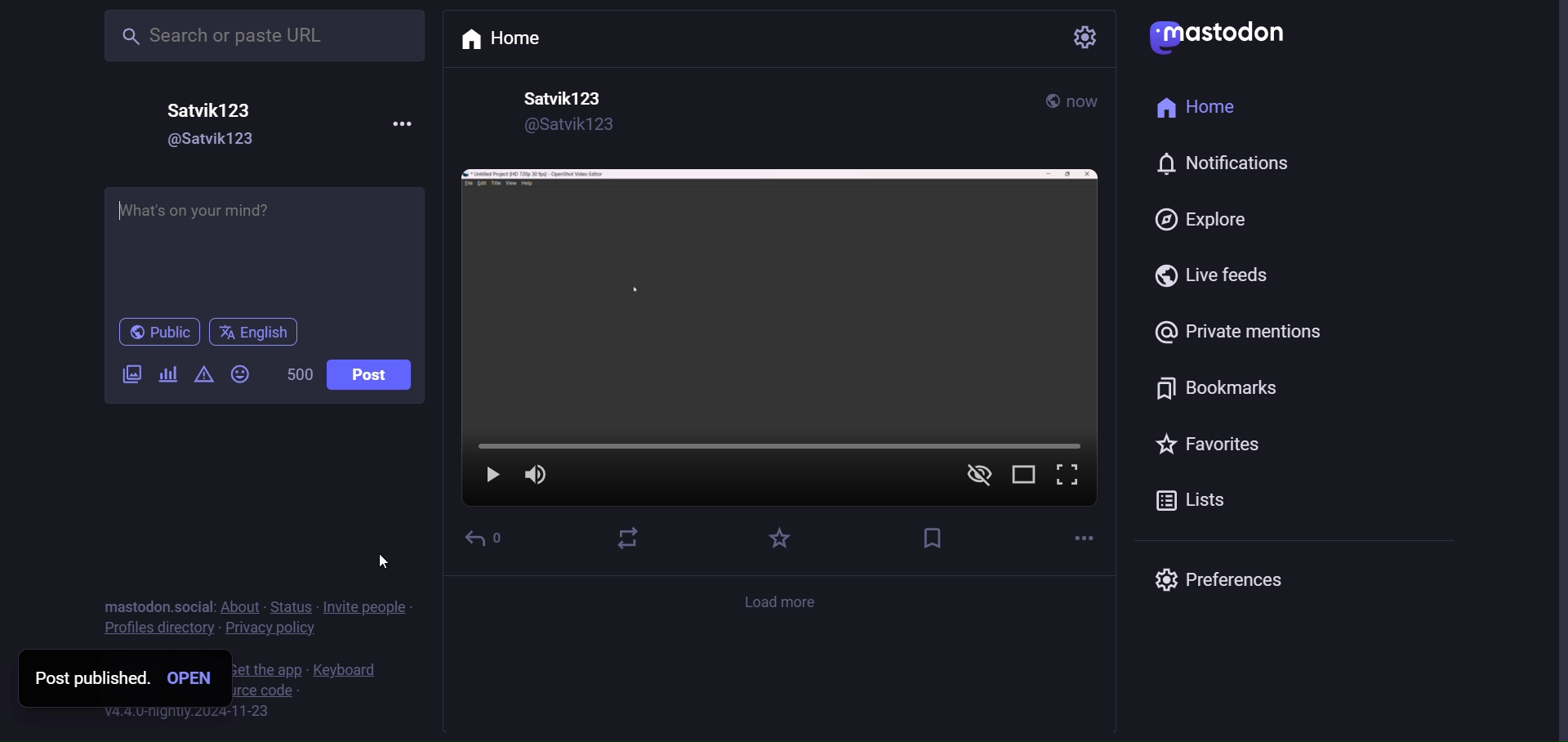 The image size is (1568, 742). Describe the element at coordinates (209, 377) in the screenshot. I see `content warning` at that location.